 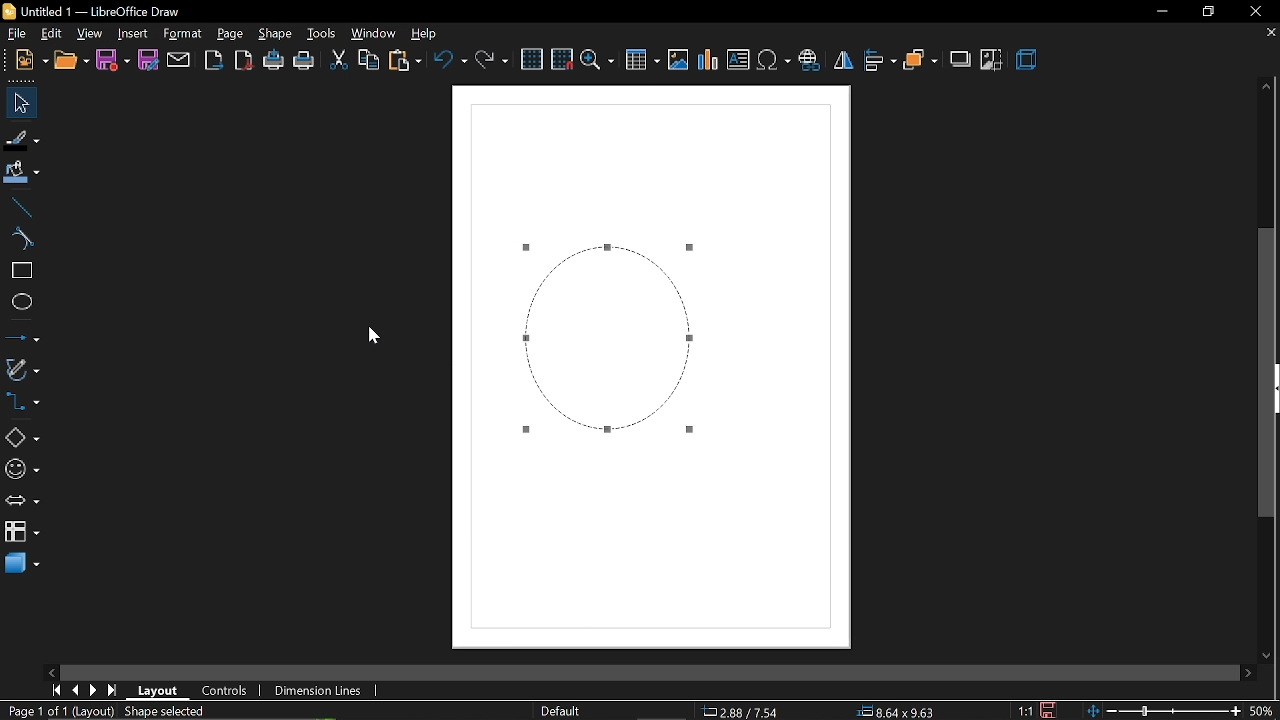 I want to click on move right, so click(x=1250, y=671).